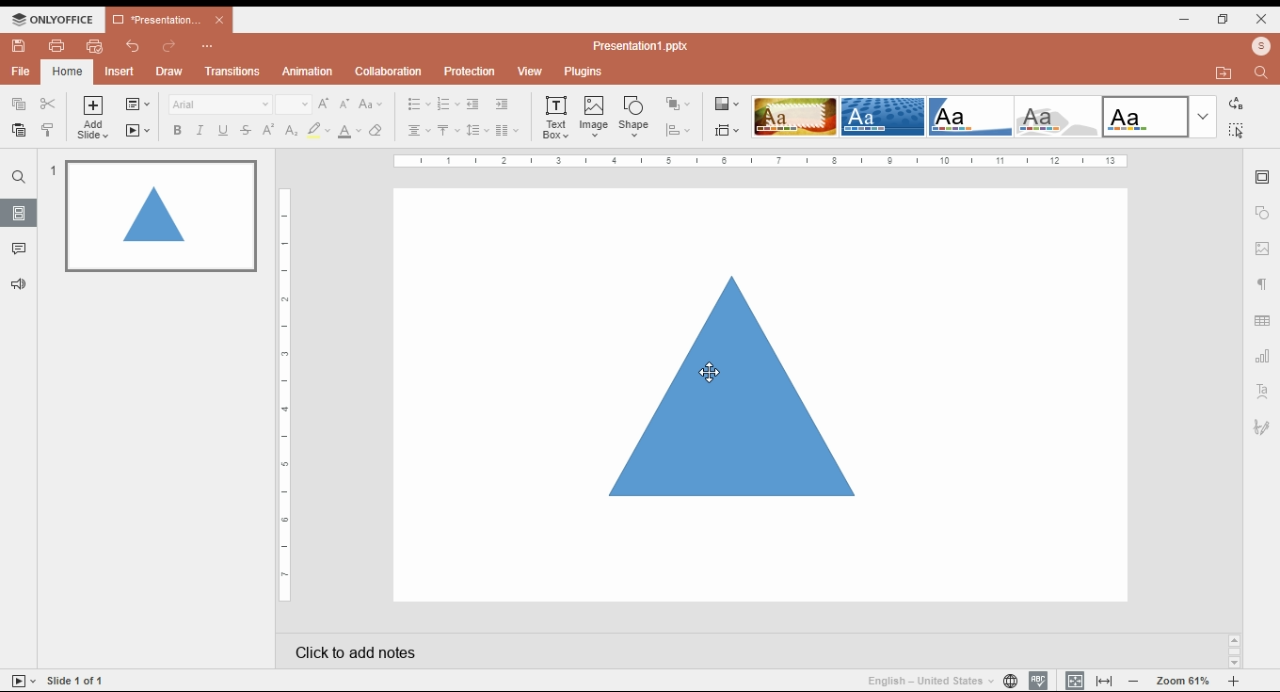 The height and width of the screenshot is (692, 1280). Describe the element at coordinates (1012, 681) in the screenshot. I see `set project language` at that location.